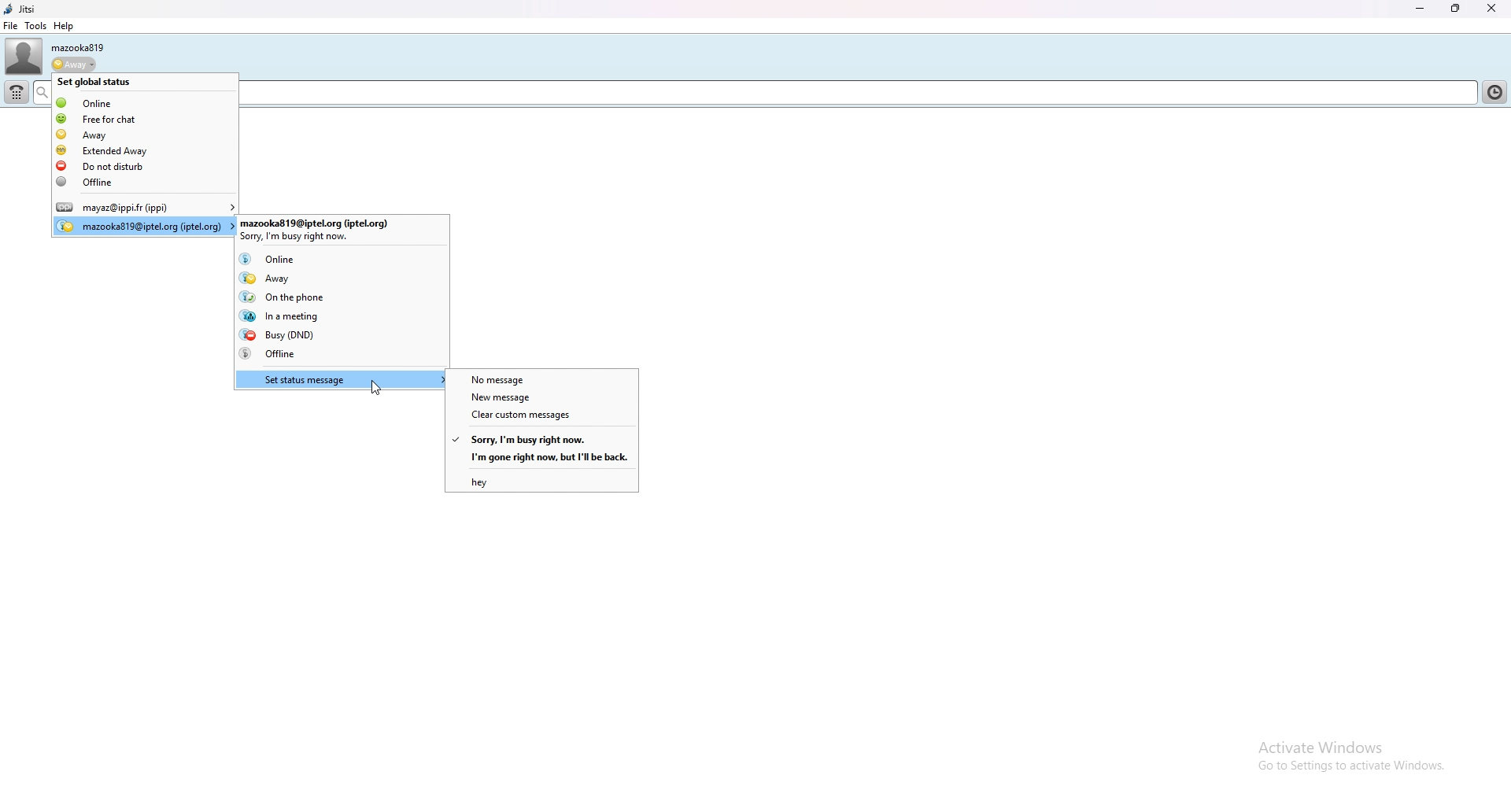 Image resolution: width=1511 pixels, height=812 pixels. Describe the element at coordinates (375, 389) in the screenshot. I see `cursor` at that location.